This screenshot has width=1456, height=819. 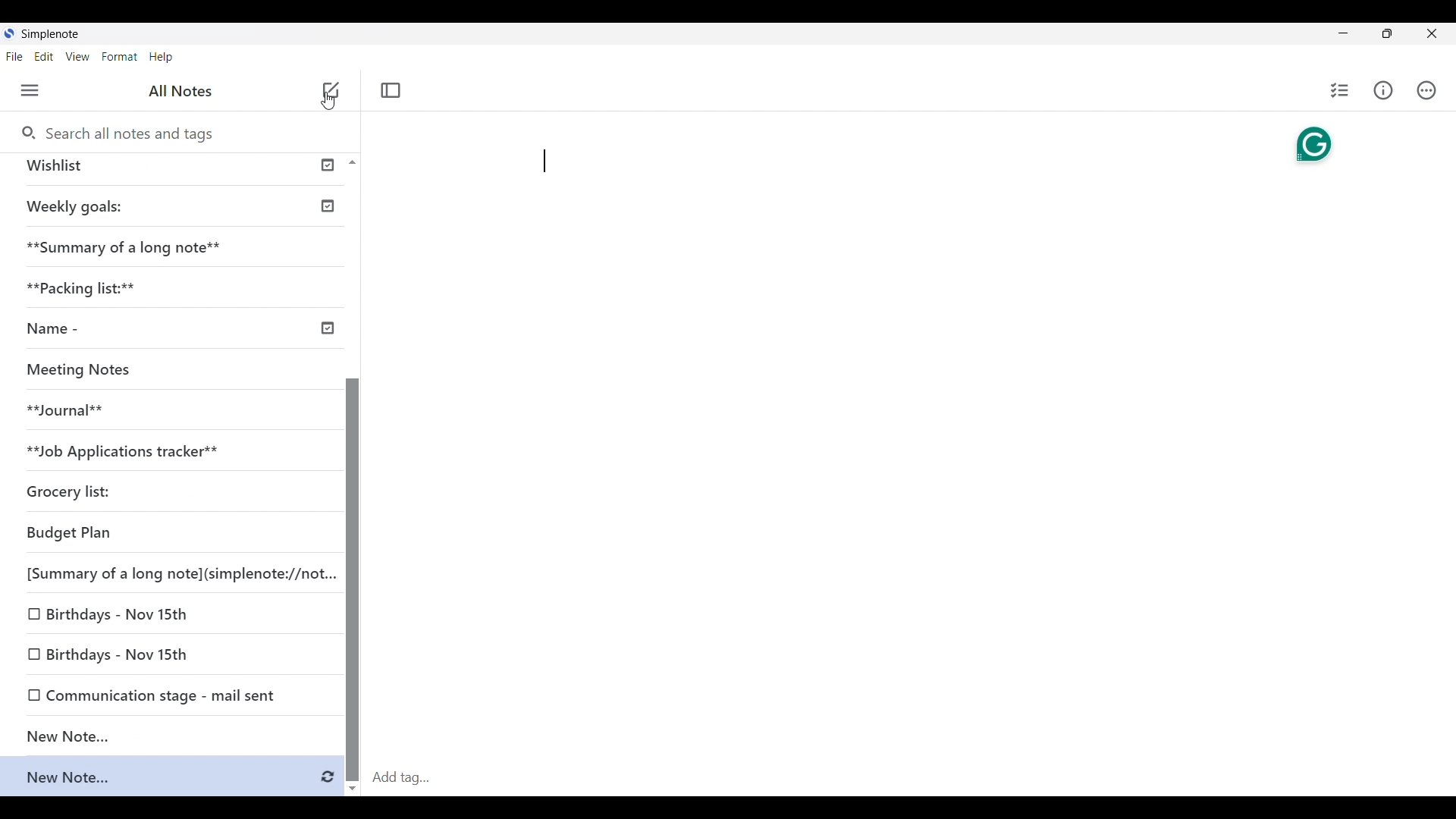 What do you see at coordinates (122, 654) in the screenshot?
I see `birthdays - nov 15th` at bounding box center [122, 654].